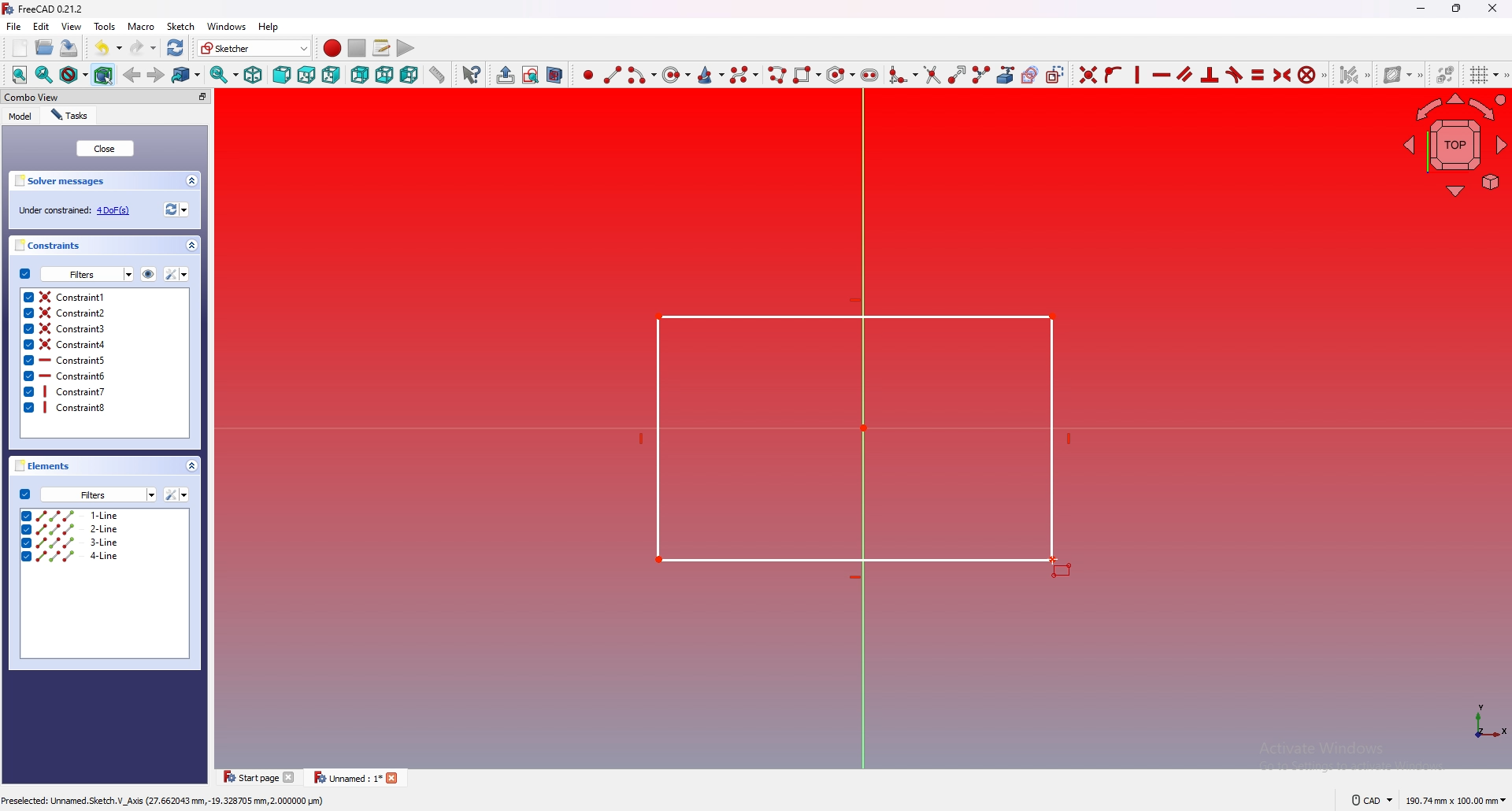 This screenshot has height=811, width=1512. What do you see at coordinates (70, 49) in the screenshot?
I see `save` at bounding box center [70, 49].